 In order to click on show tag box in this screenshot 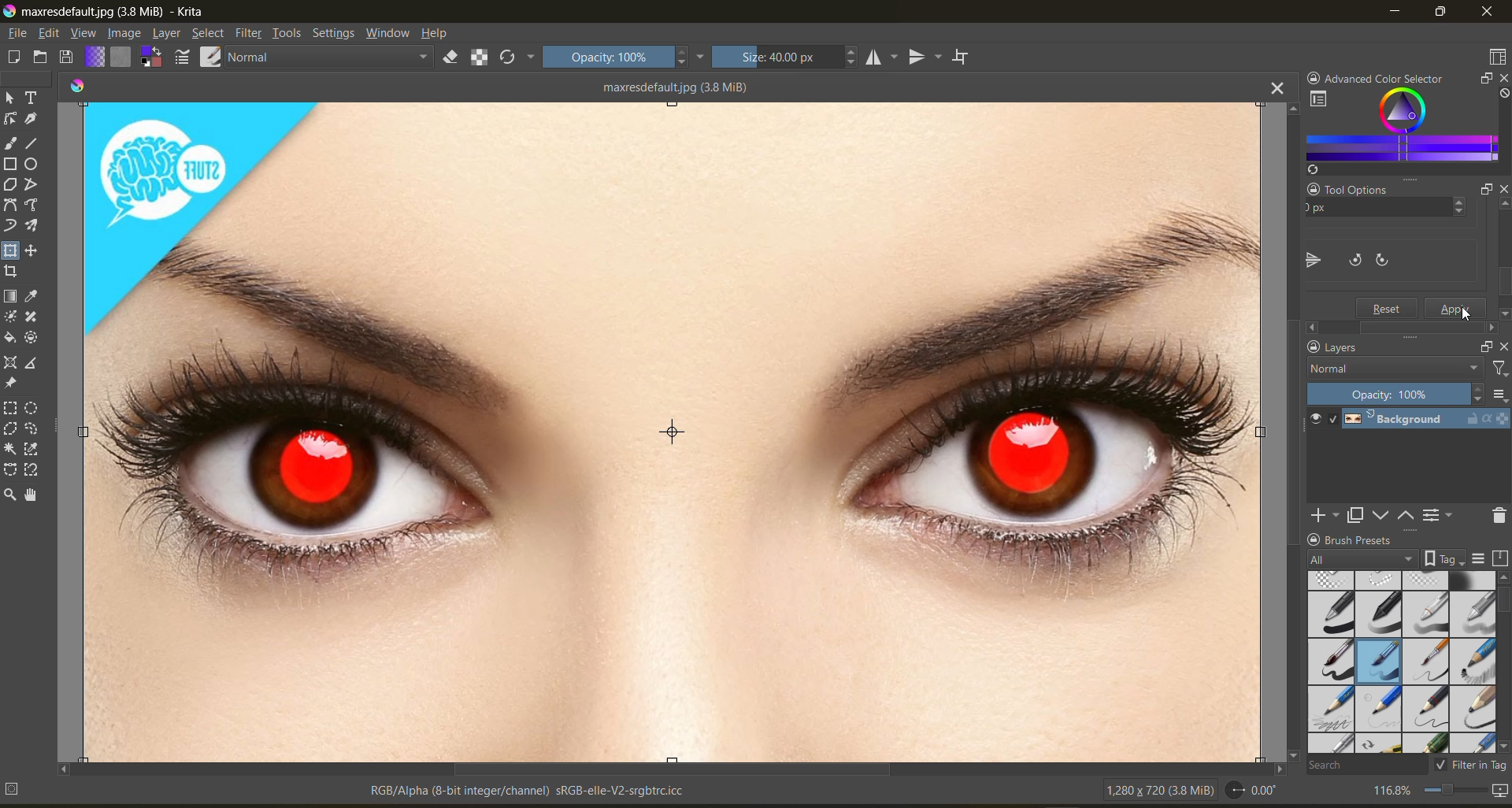, I will do `click(1445, 558)`.